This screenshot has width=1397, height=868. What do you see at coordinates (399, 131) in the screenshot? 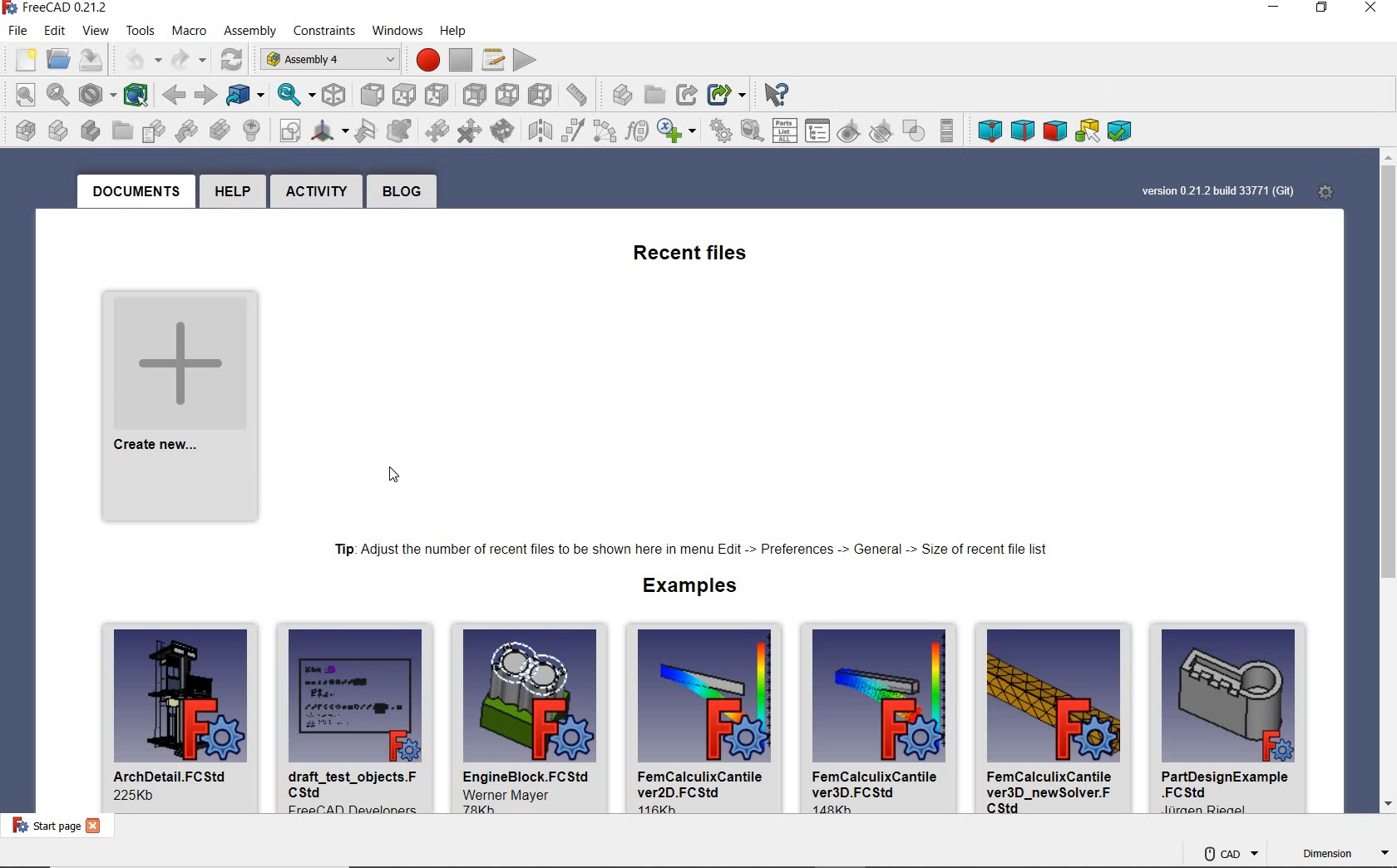
I see `create mirror` at bounding box center [399, 131].